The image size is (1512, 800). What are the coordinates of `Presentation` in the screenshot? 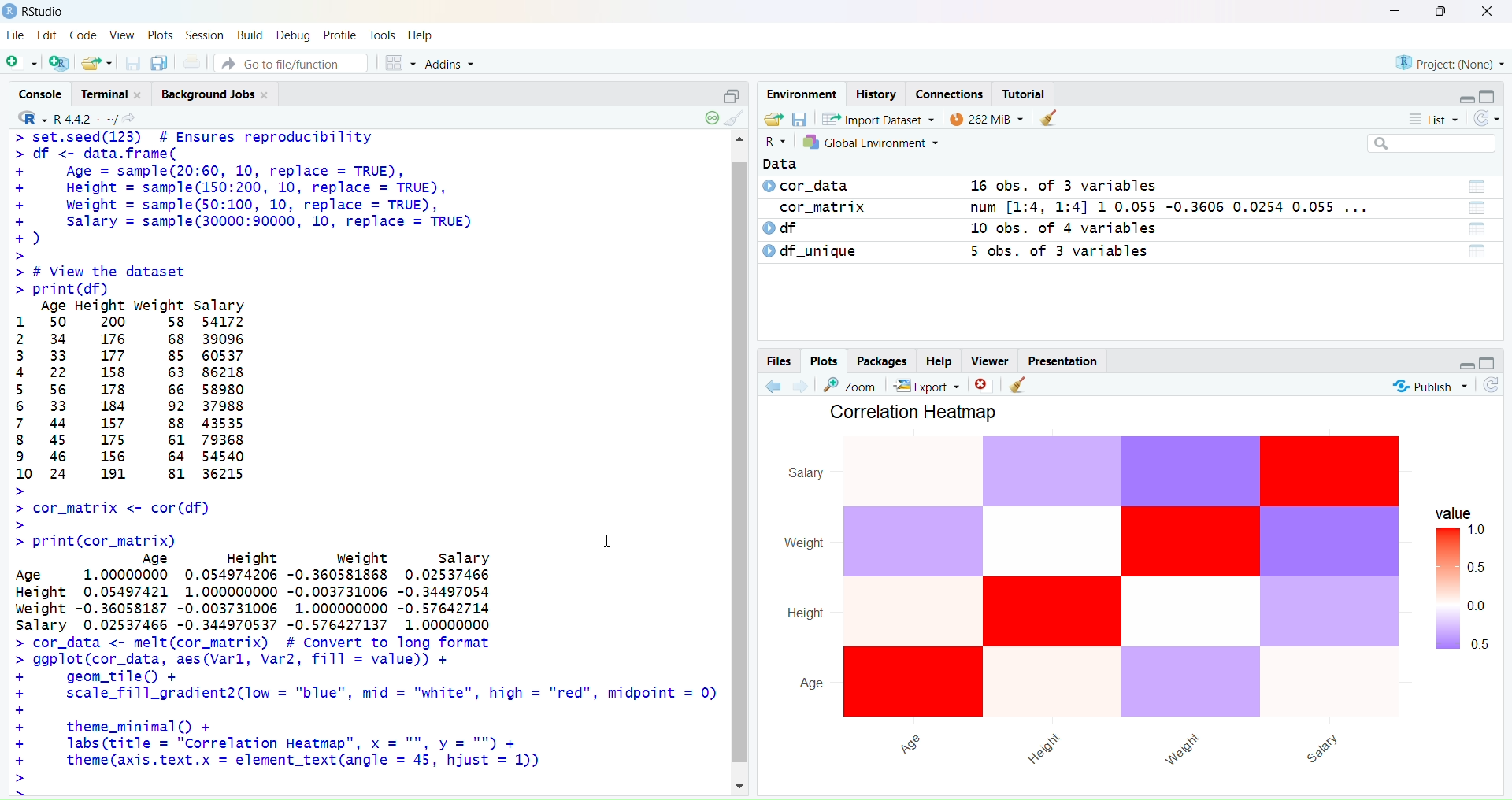 It's located at (1063, 361).